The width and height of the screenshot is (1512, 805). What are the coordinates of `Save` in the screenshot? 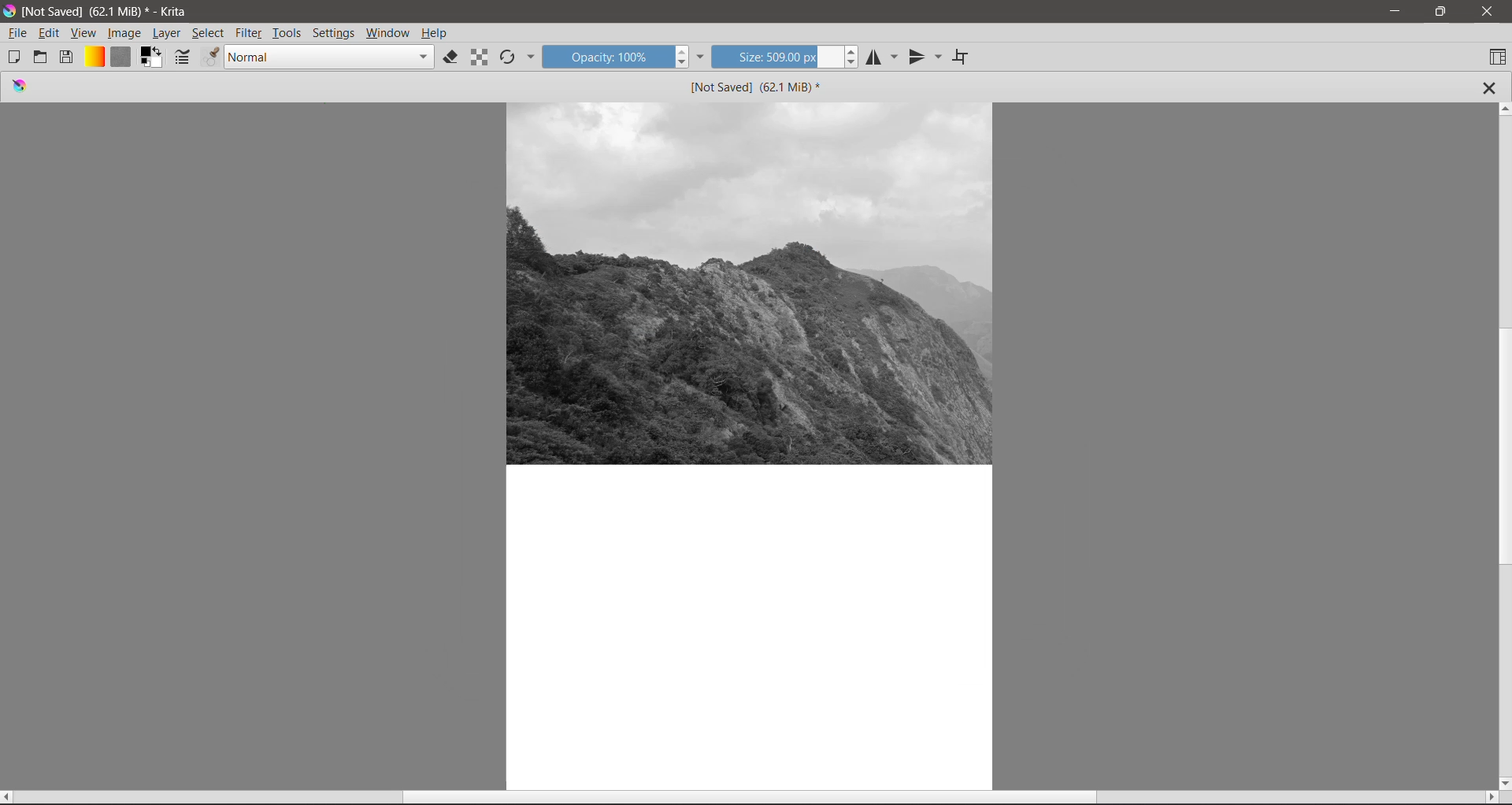 It's located at (68, 57).